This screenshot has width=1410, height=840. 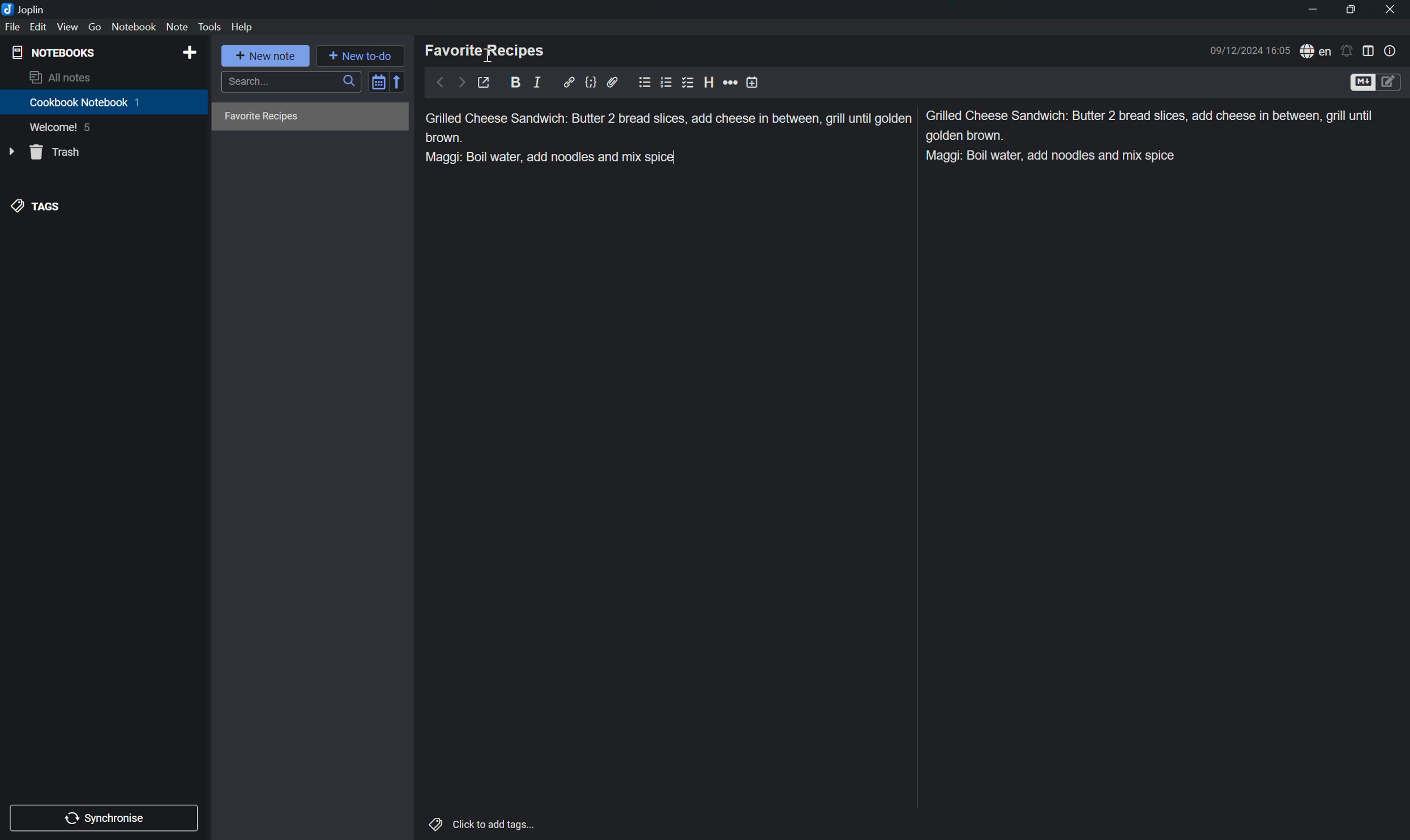 I want to click on close, so click(x=1390, y=7).